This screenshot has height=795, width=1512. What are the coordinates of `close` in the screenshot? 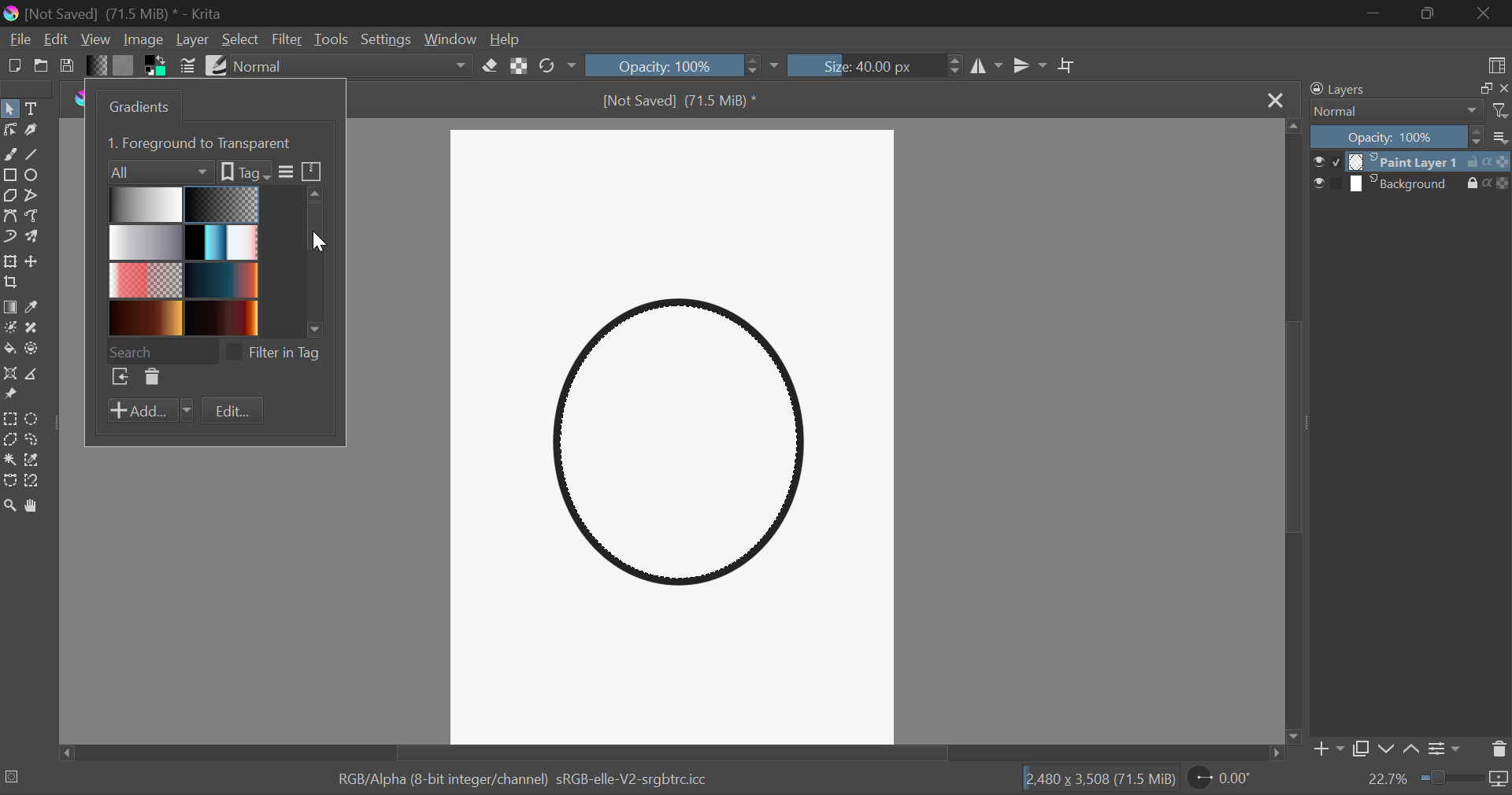 It's located at (1504, 87).